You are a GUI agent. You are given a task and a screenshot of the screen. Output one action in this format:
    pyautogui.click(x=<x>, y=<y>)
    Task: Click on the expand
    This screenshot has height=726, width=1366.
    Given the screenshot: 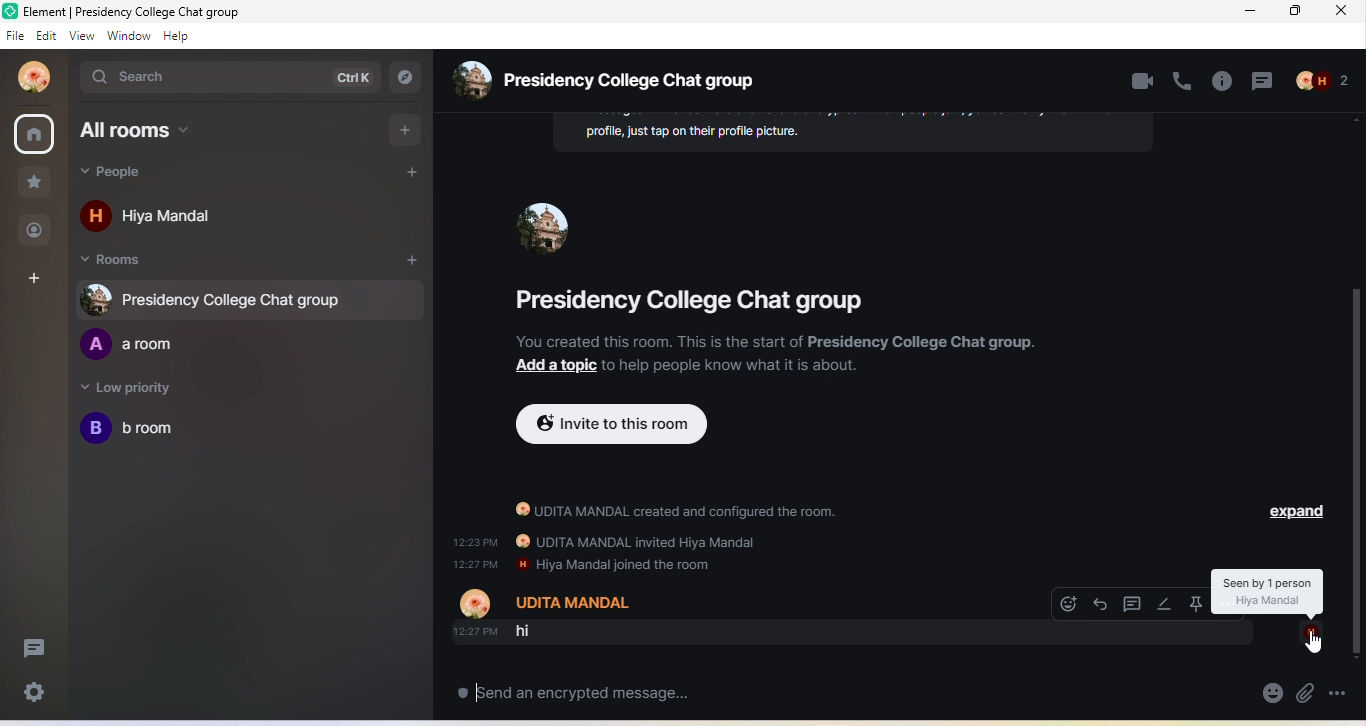 What is the action you would take?
    pyautogui.click(x=1300, y=514)
    